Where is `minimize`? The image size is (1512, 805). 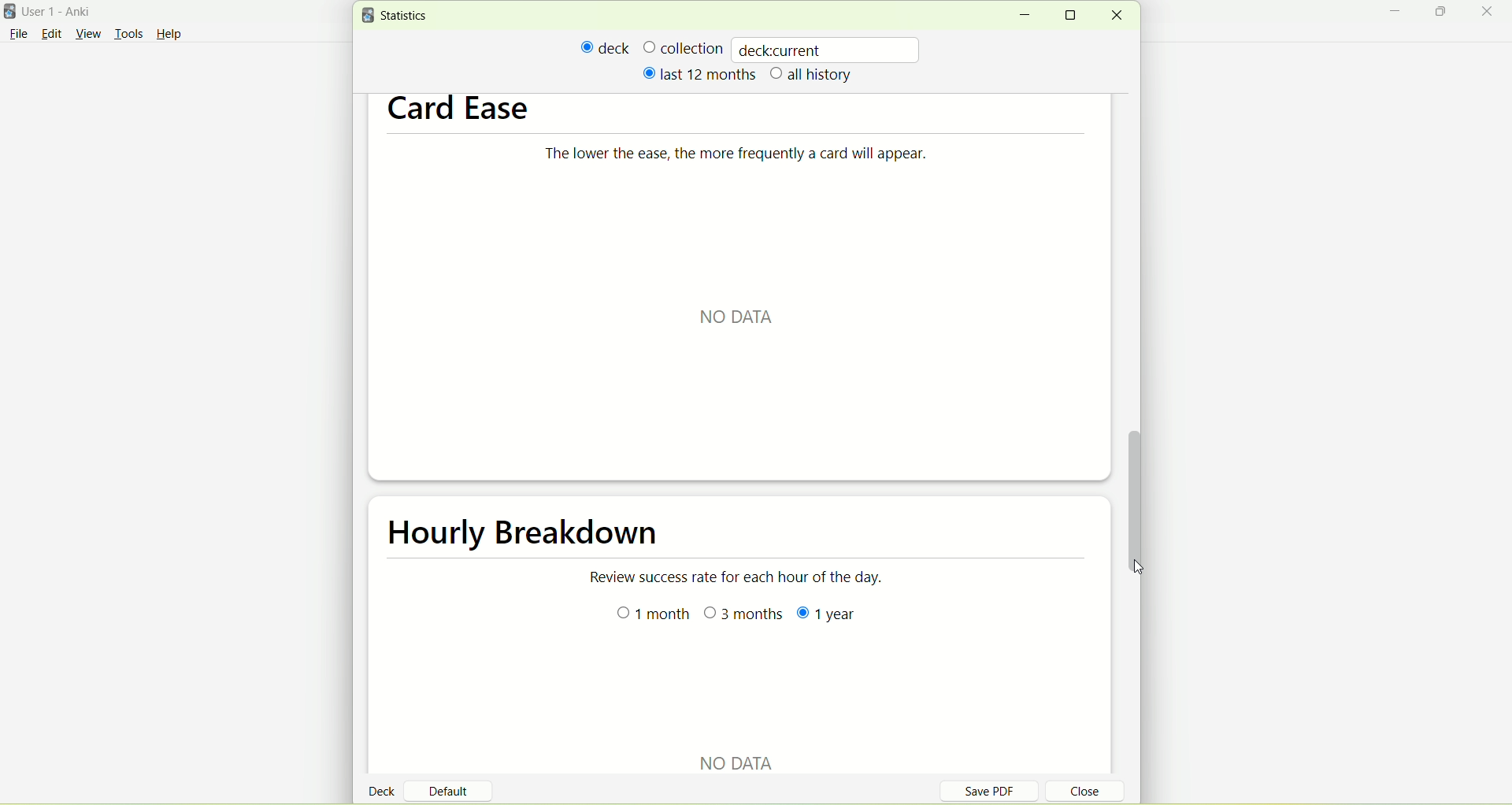
minimize is located at coordinates (1024, 16).